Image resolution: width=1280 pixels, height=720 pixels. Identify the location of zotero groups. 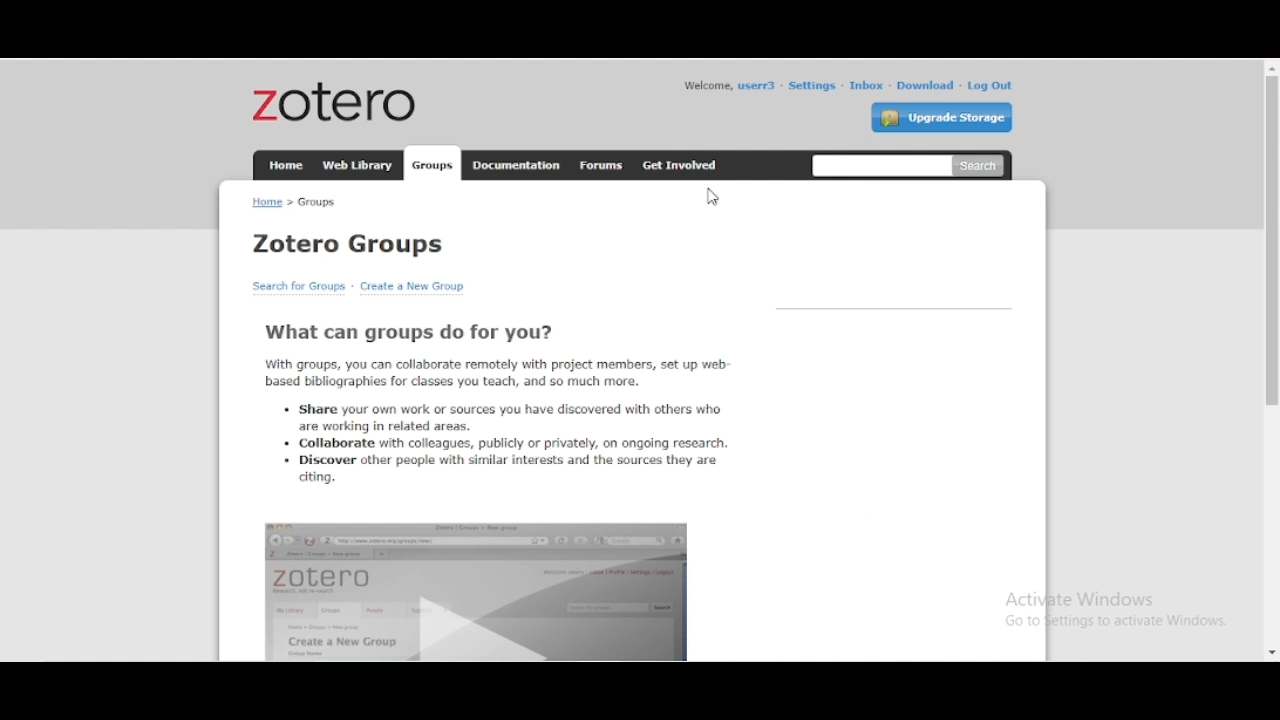
(345, 243).